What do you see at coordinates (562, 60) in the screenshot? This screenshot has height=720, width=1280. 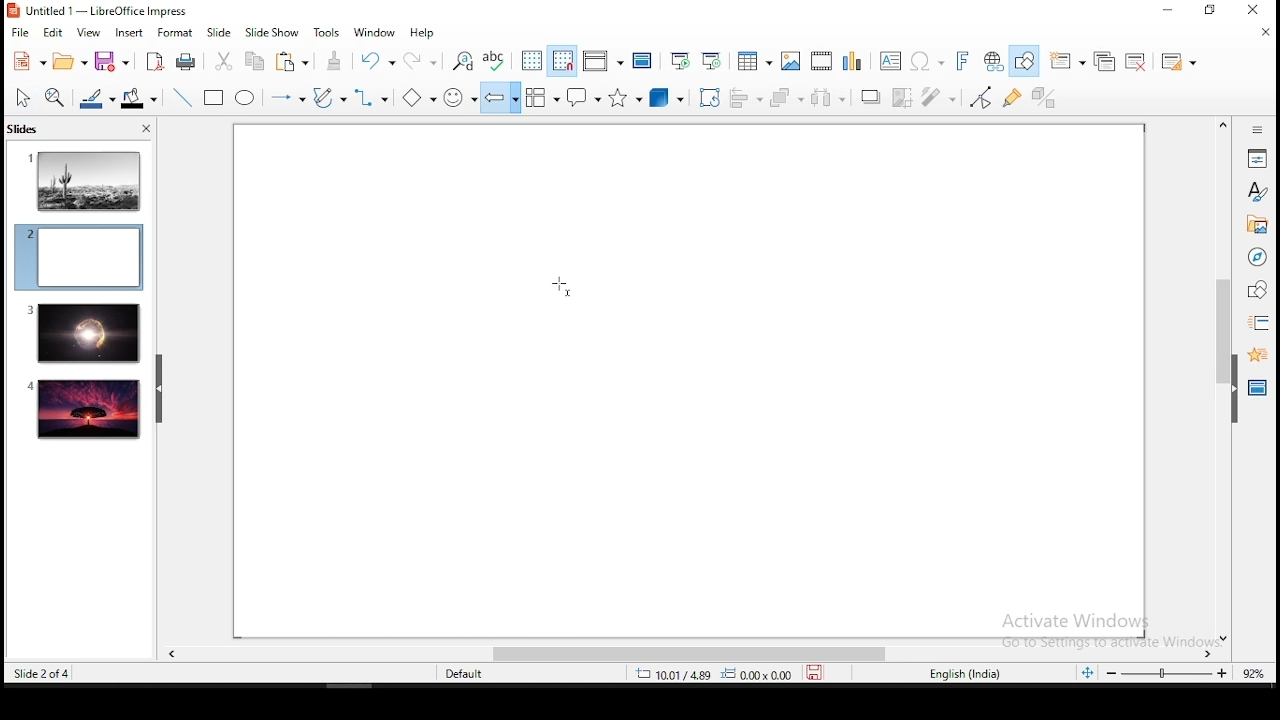 I see `snap to grid` at bounding box center [562, 60].